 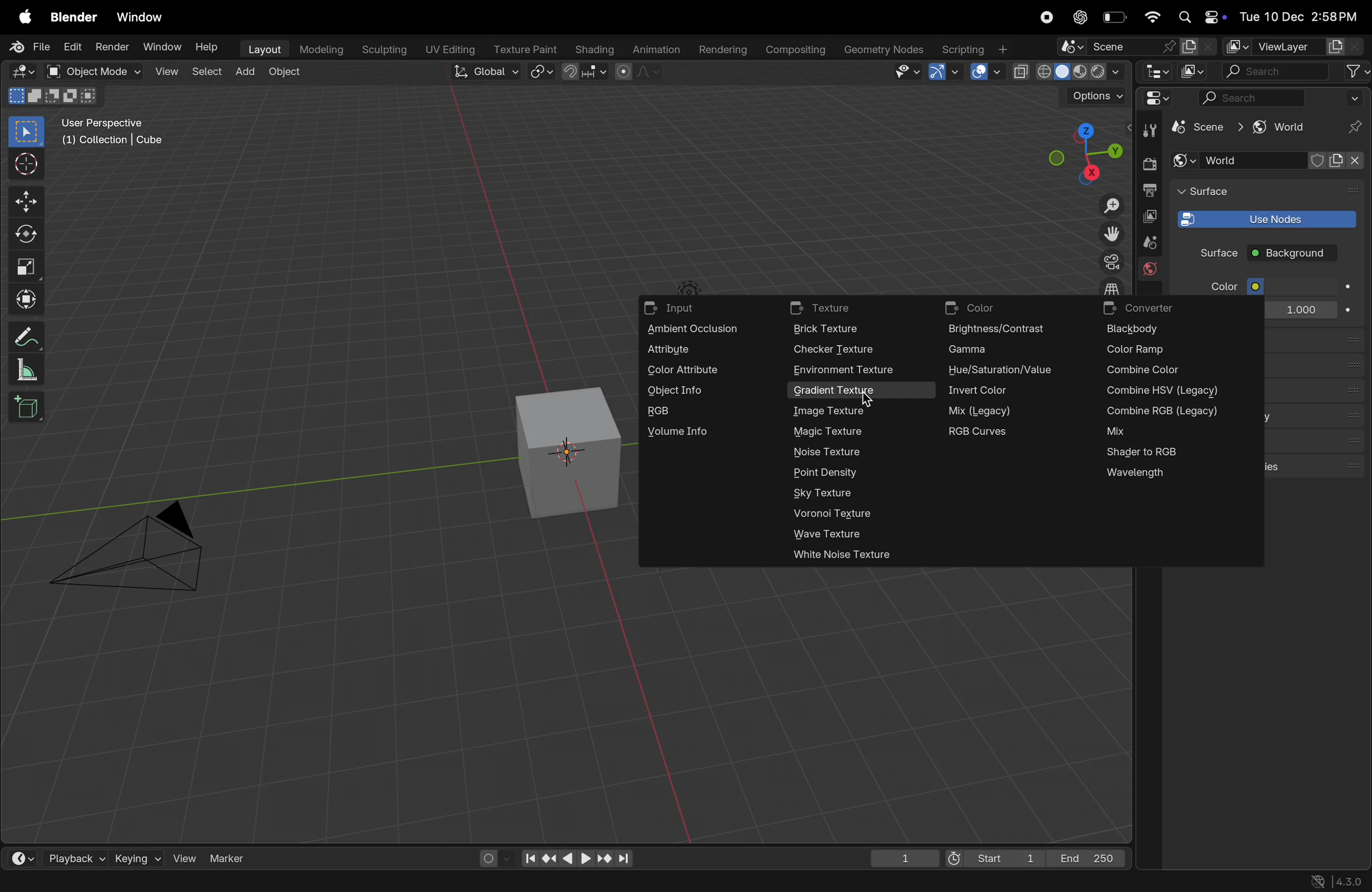 I want to click on Rgb curves, so click(x=997, y=432).